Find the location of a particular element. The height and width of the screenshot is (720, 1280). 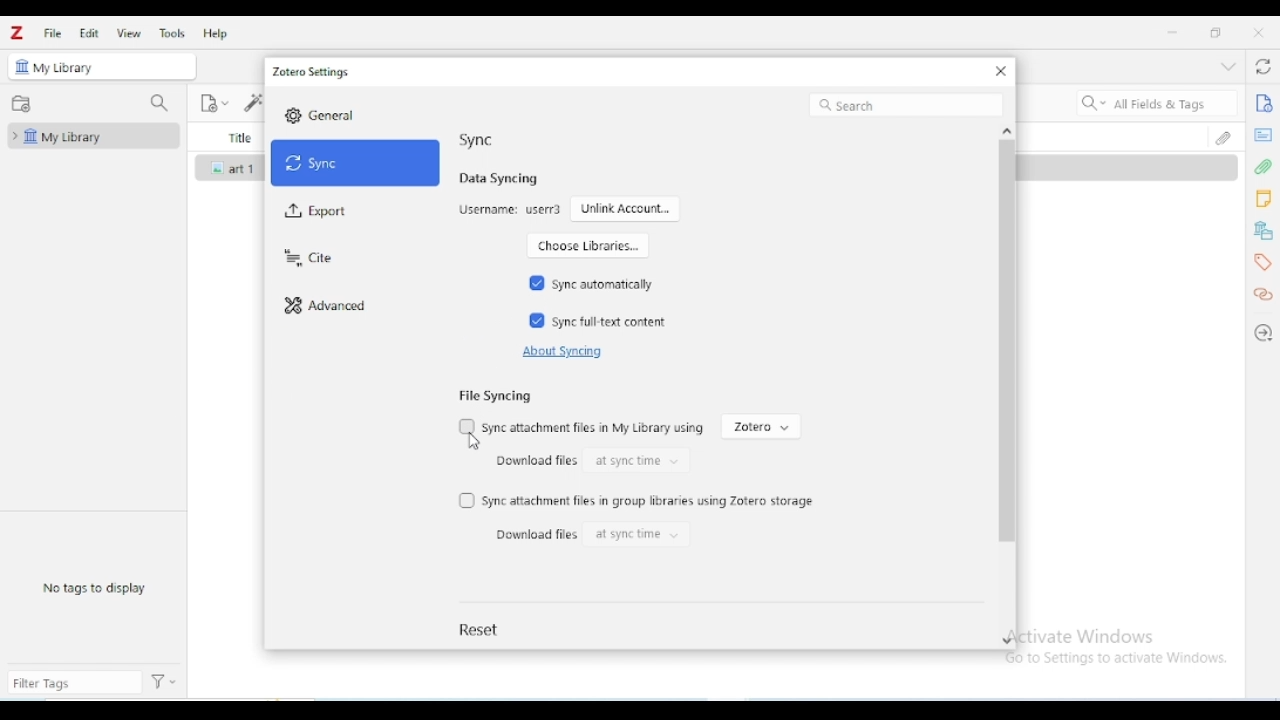

minimize is located at coordinates (1173, 33).